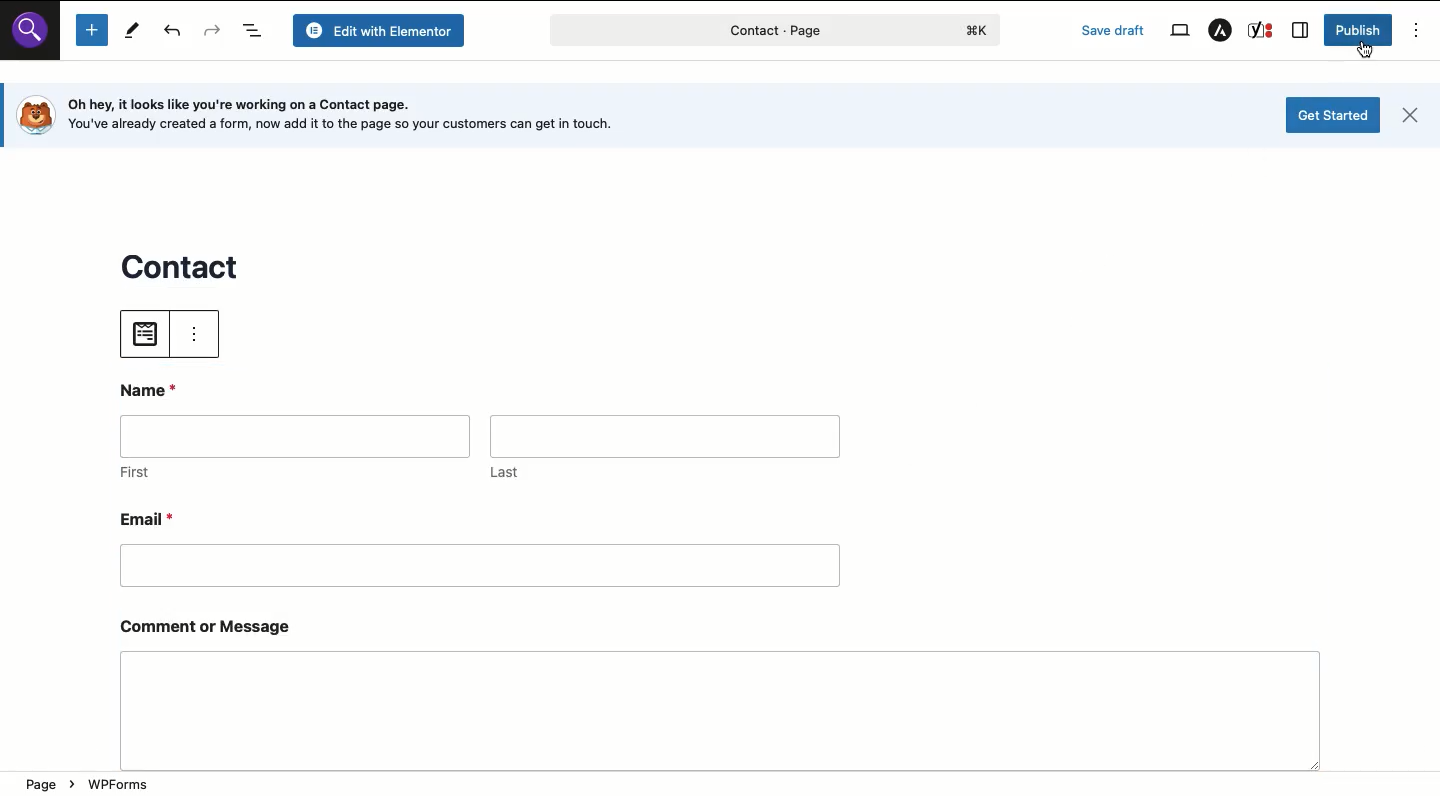  Describe the element at coordinates (90, 785) in the screenshot. I see `Page > WPForms` at that location.